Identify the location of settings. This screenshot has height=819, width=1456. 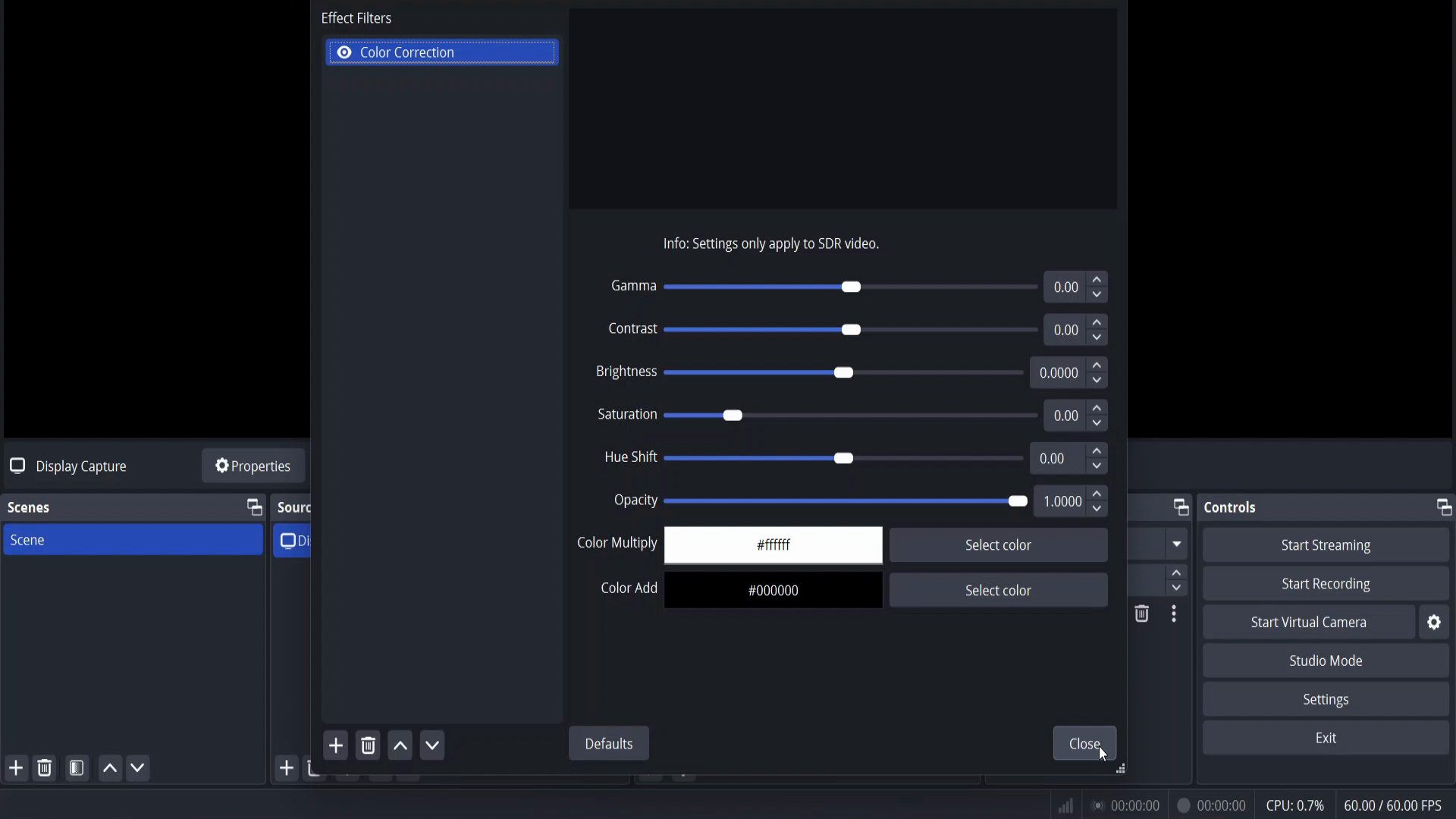
(1434, 623).